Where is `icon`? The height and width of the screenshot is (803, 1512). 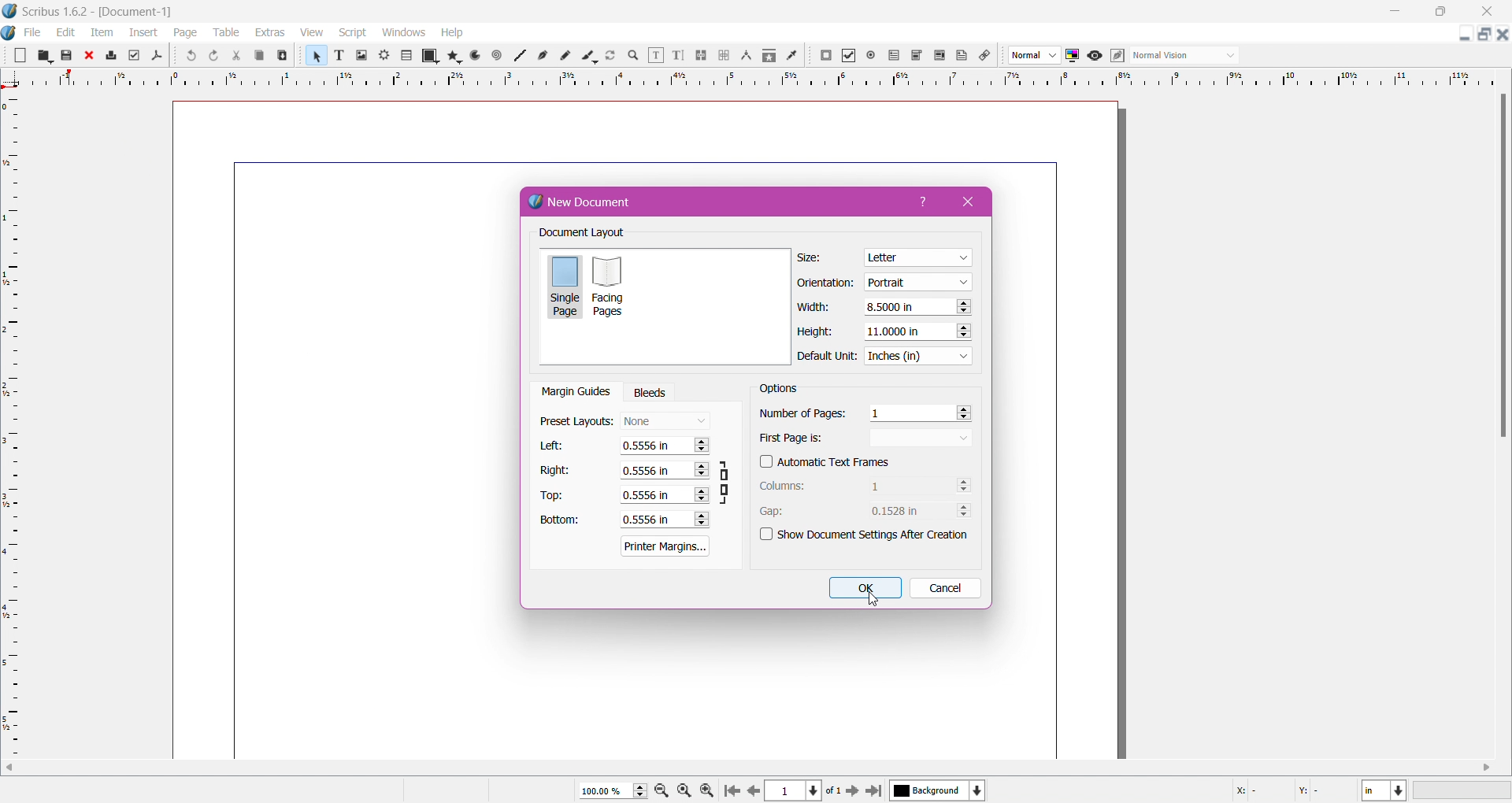 icon is located at coordinates (959, 55).